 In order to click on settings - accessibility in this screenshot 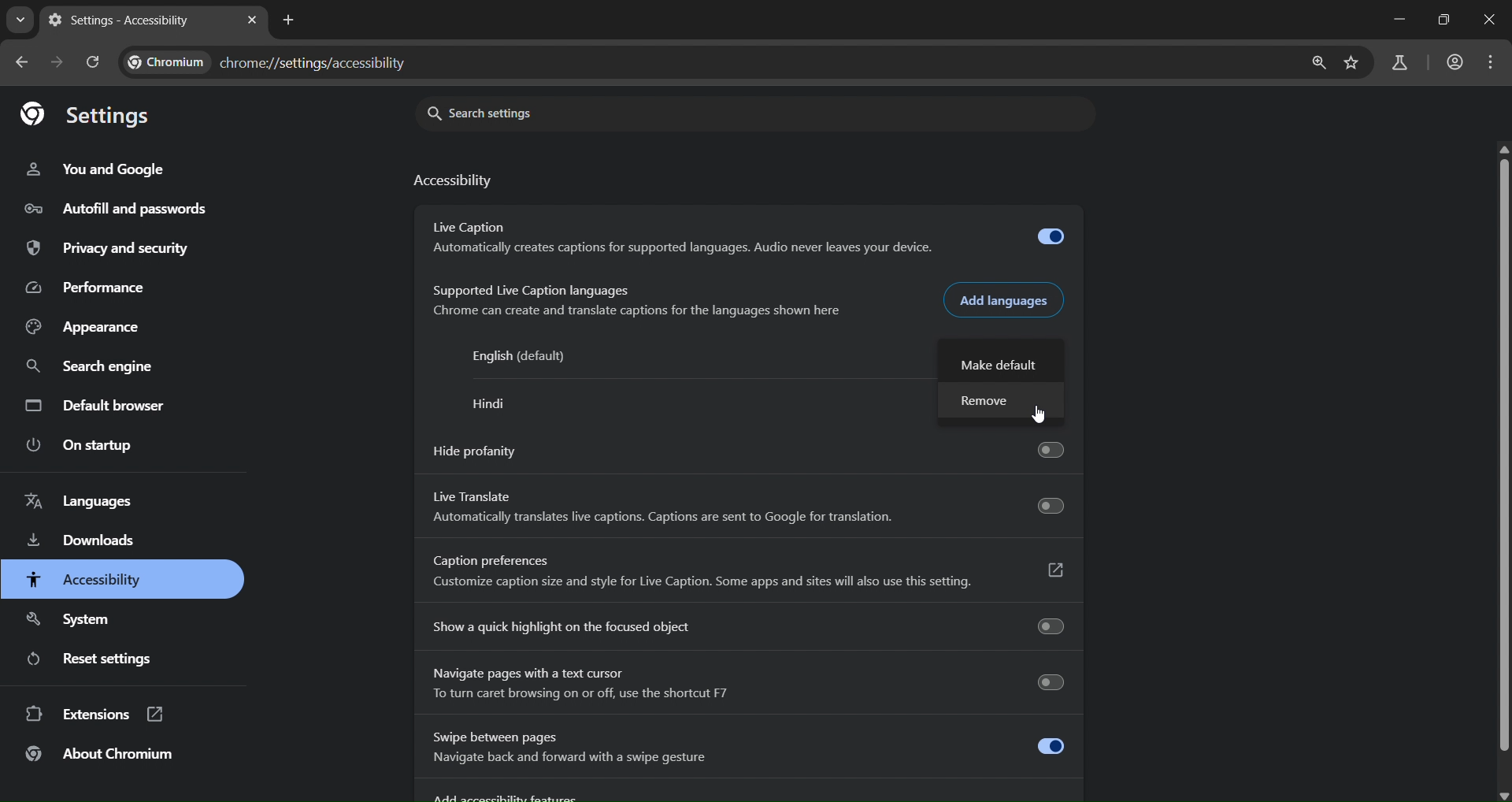, I will do `click(132, 20)`.